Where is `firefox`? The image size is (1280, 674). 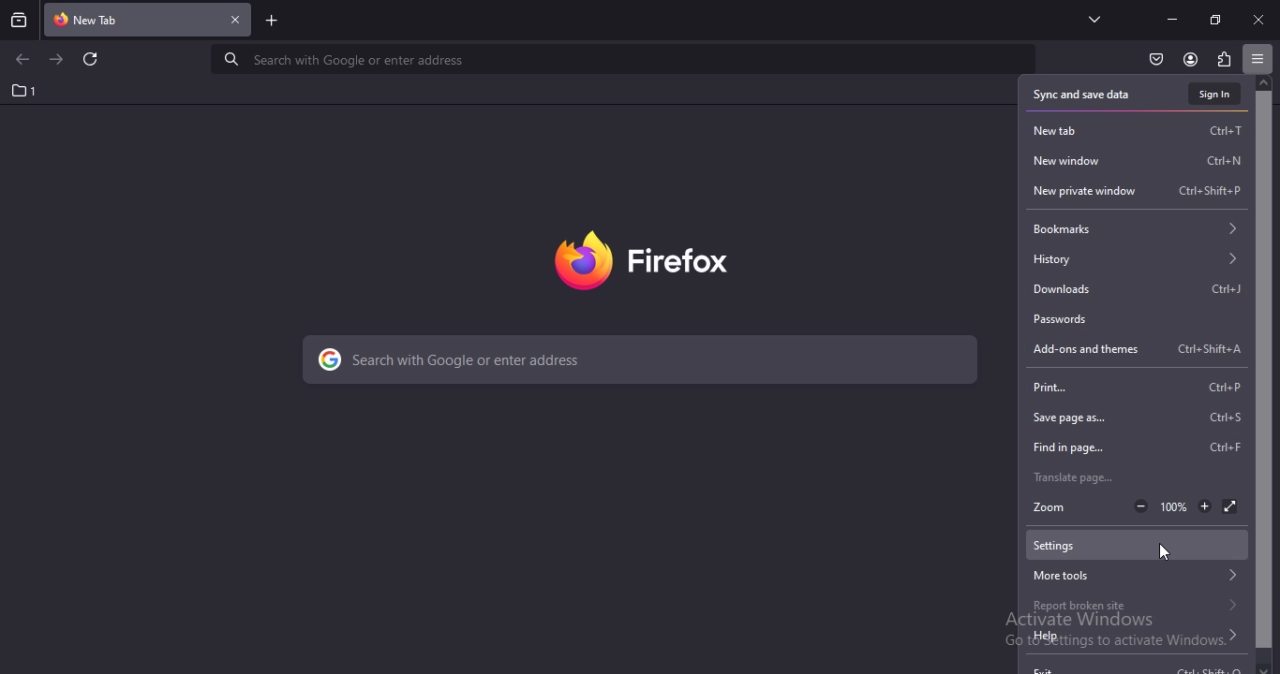 firefox is located at coordinates (642, 261).